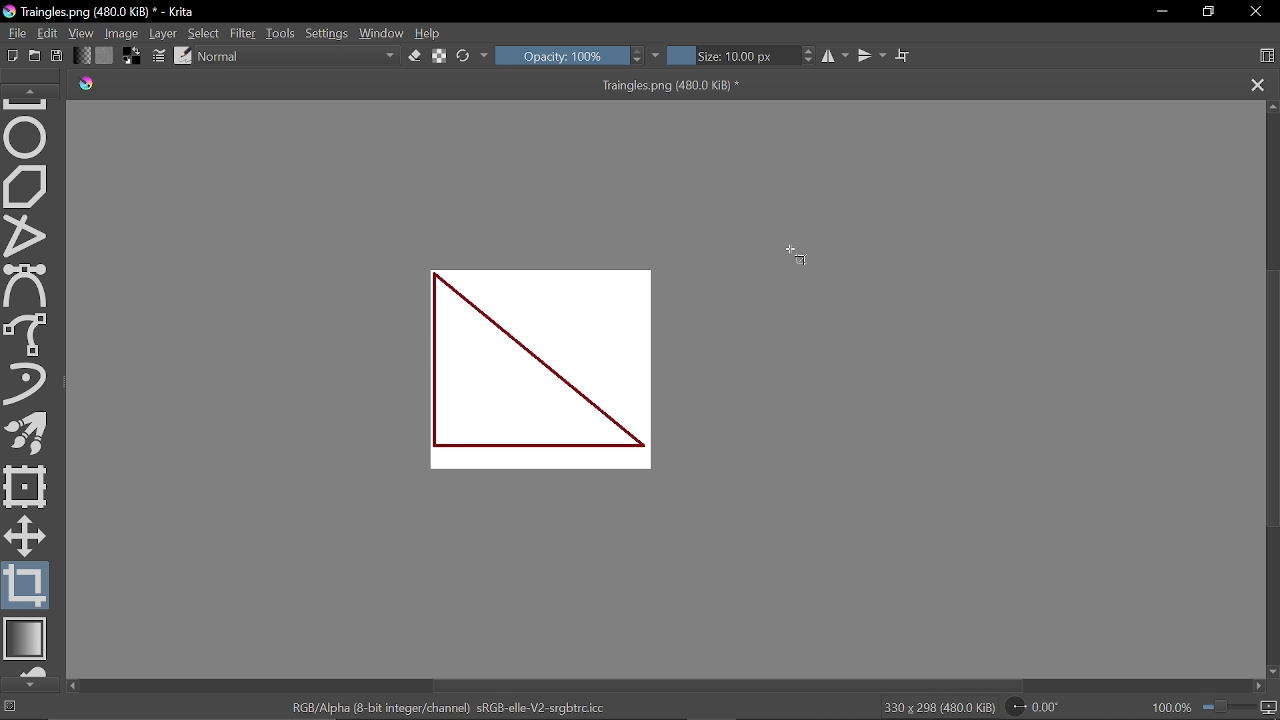 This screenshot has height=720, width=1280. I want to click on Minimize, so click(1162, 13).